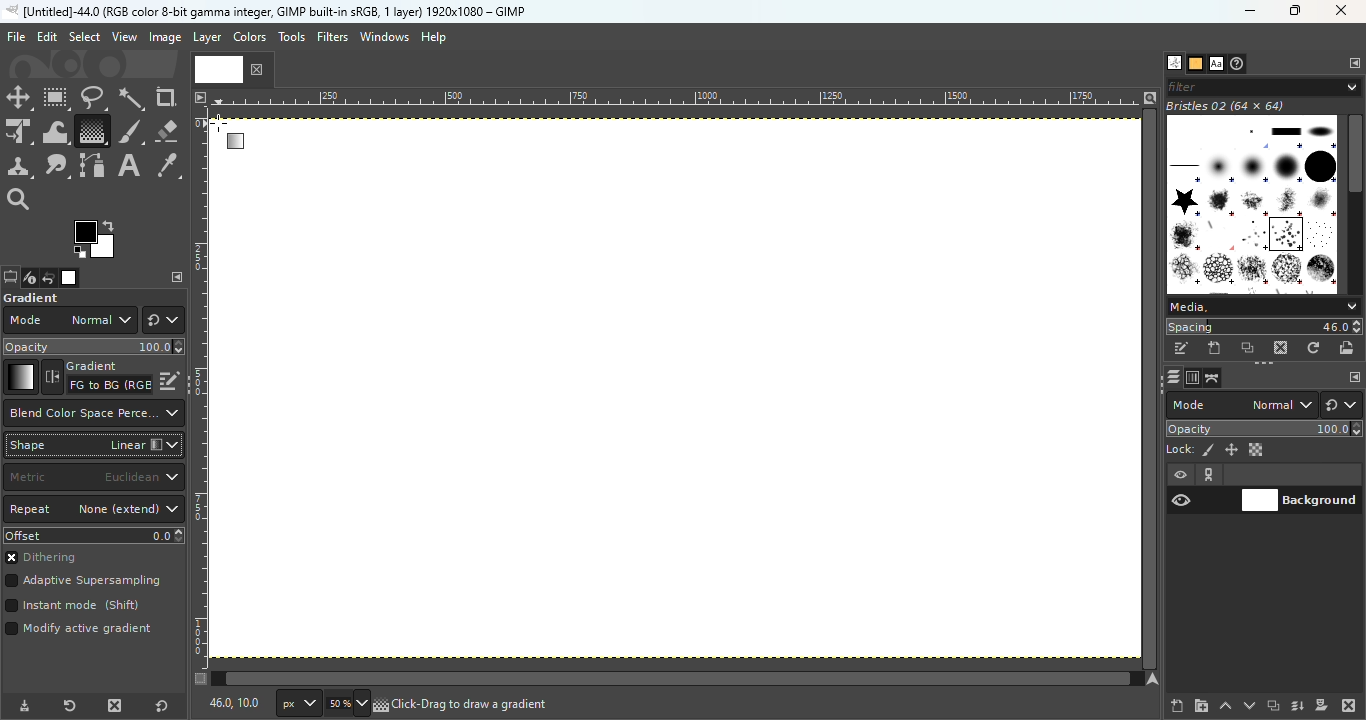 The height and width of the screenshot is (720, 1366). I want to click on Open the tools option dialog, so click(9, 279).